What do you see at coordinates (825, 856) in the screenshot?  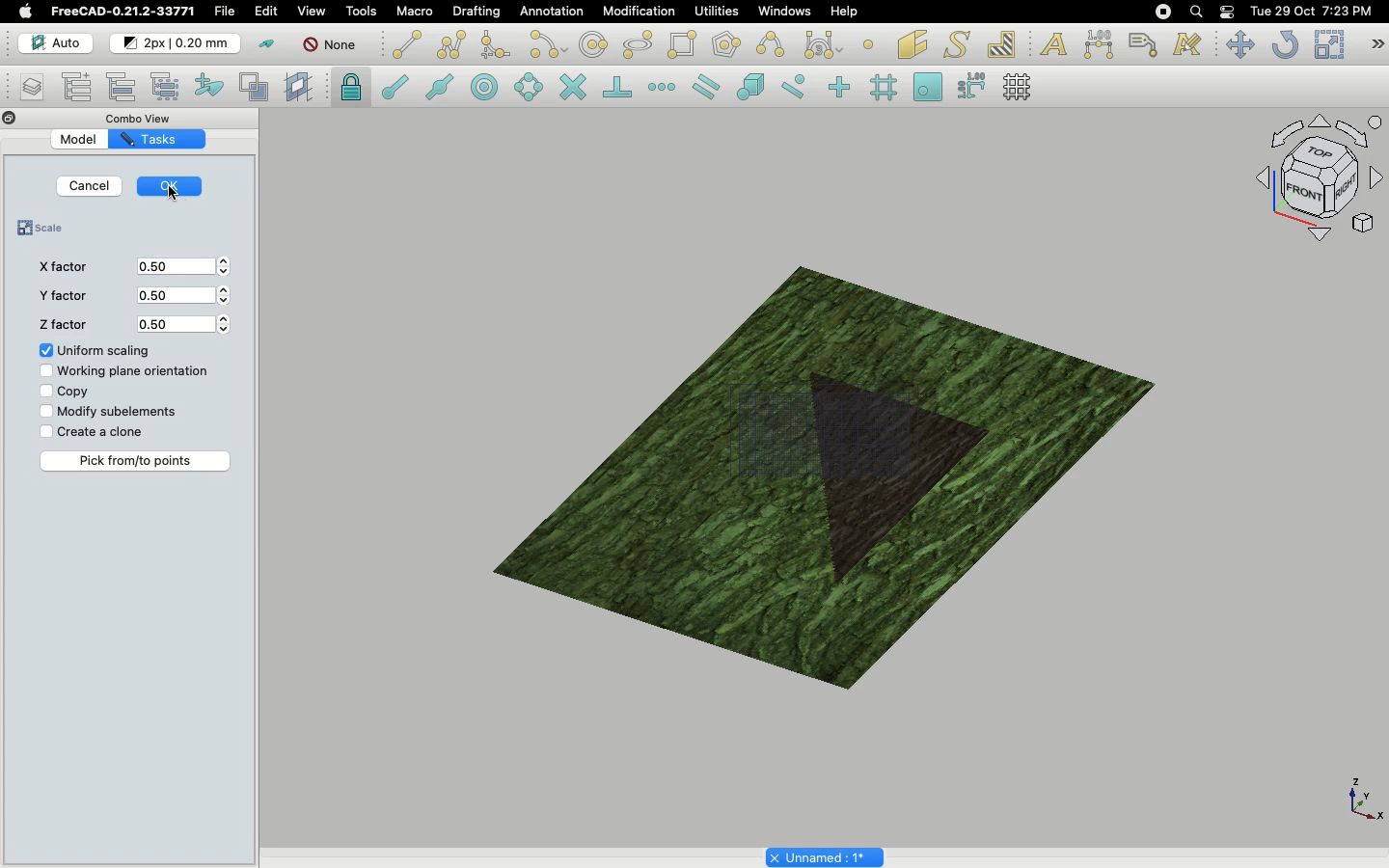 I see `Project name` at bounding box center [825, 856].